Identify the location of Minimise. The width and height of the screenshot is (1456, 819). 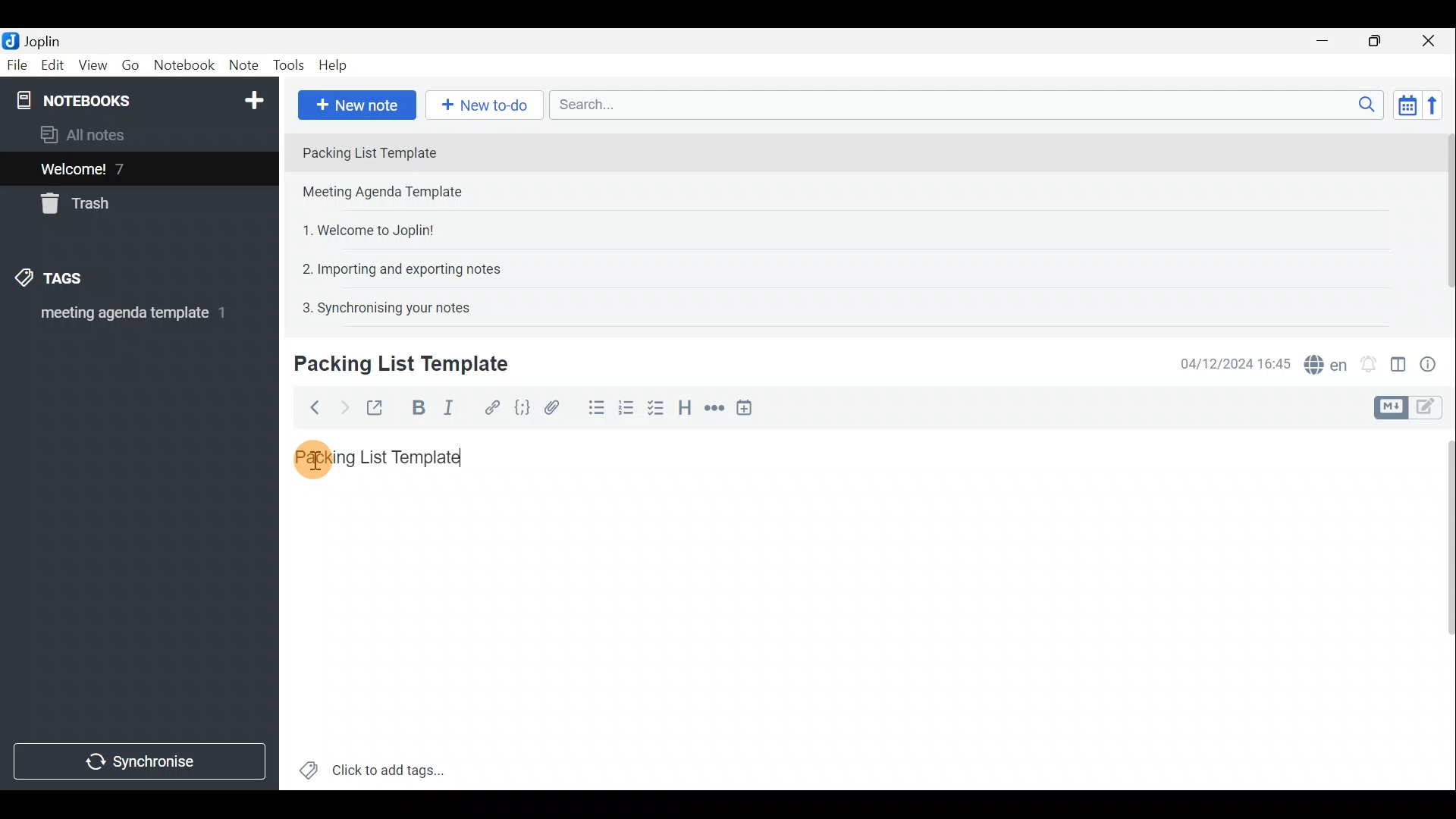
(1330, 43).